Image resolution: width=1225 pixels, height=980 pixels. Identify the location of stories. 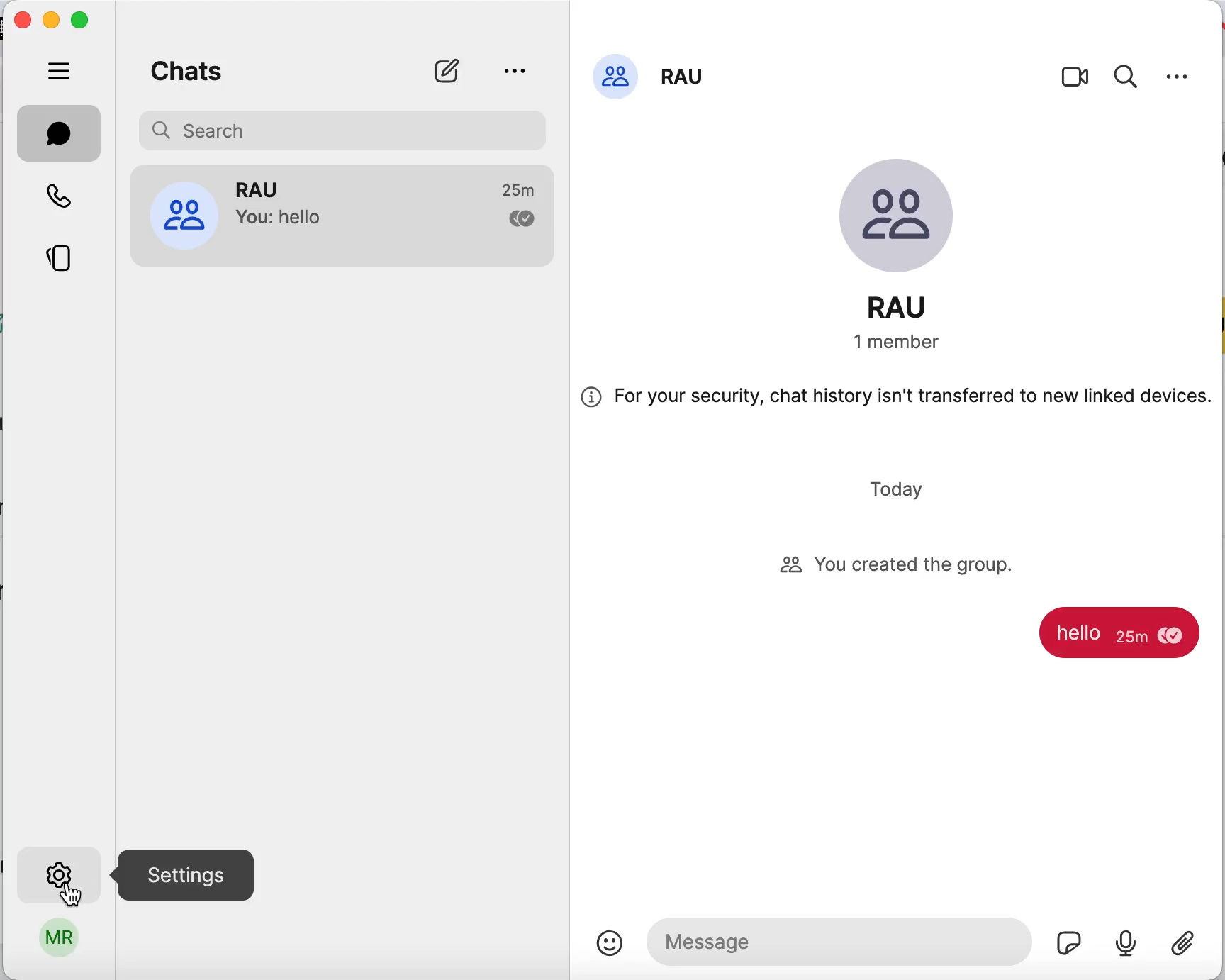
(61, 261).